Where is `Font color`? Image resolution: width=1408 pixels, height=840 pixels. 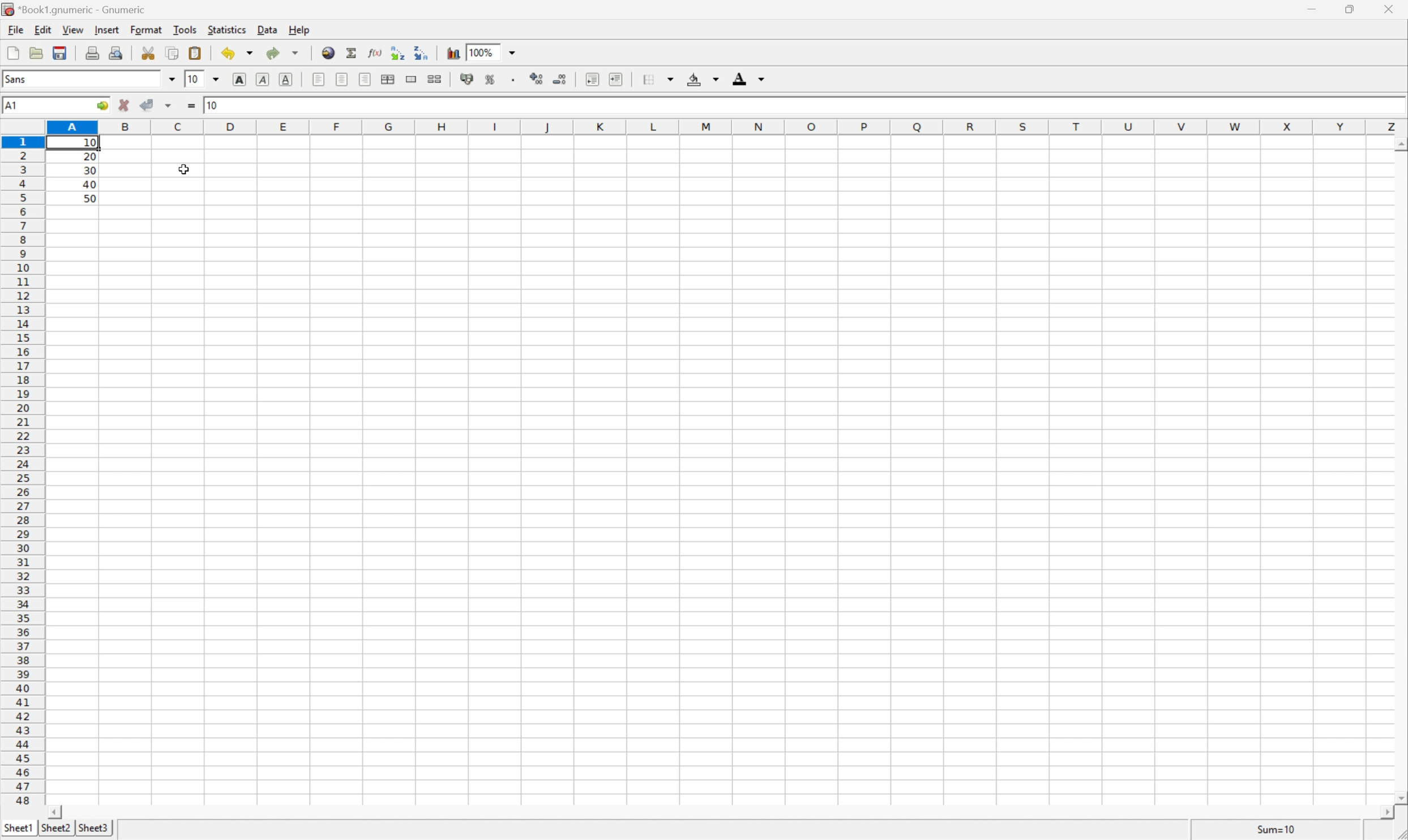
Font color is located at coordinates (740, 76).